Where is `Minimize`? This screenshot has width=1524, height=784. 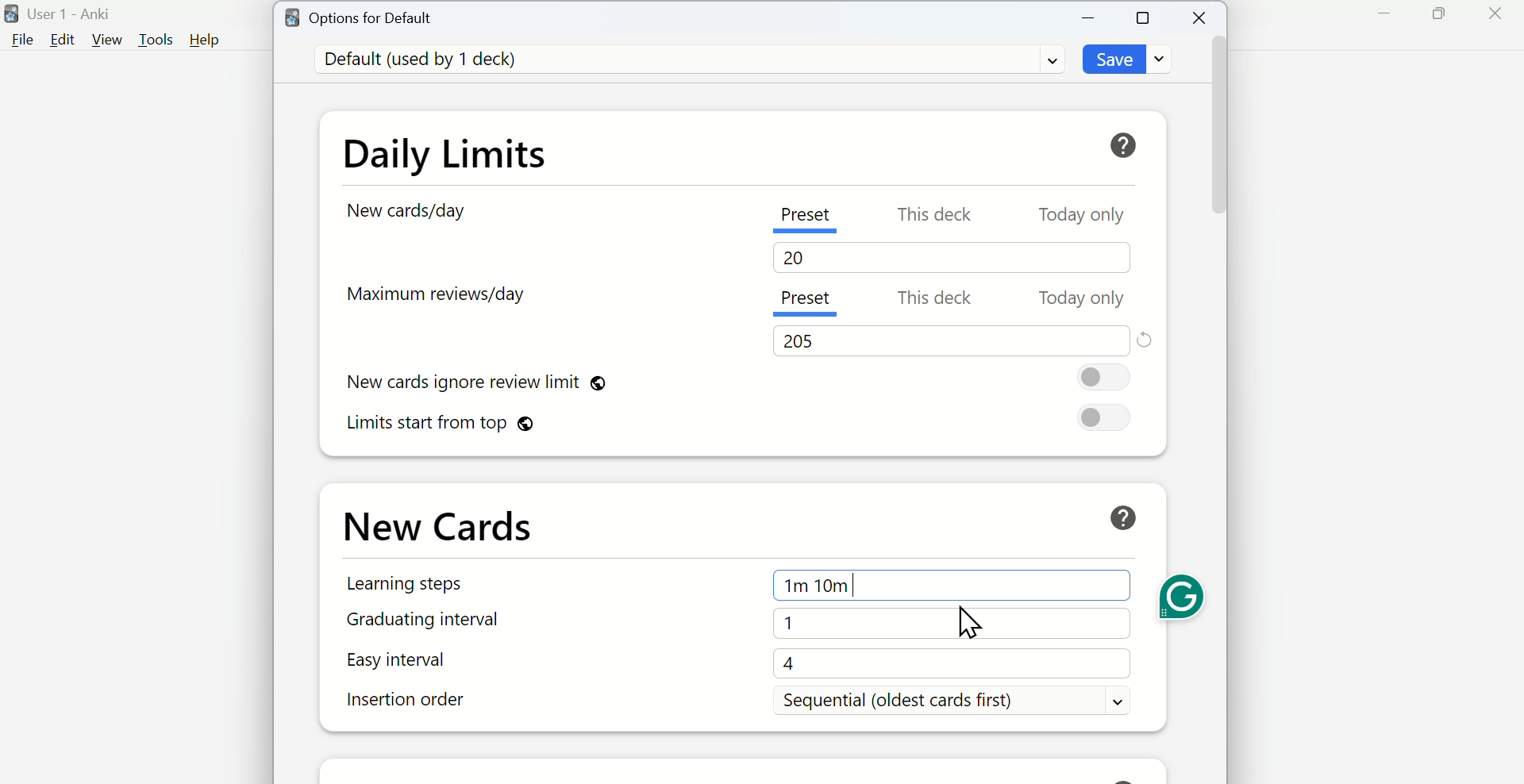
Minimize is located at coordinates (1381, 18).